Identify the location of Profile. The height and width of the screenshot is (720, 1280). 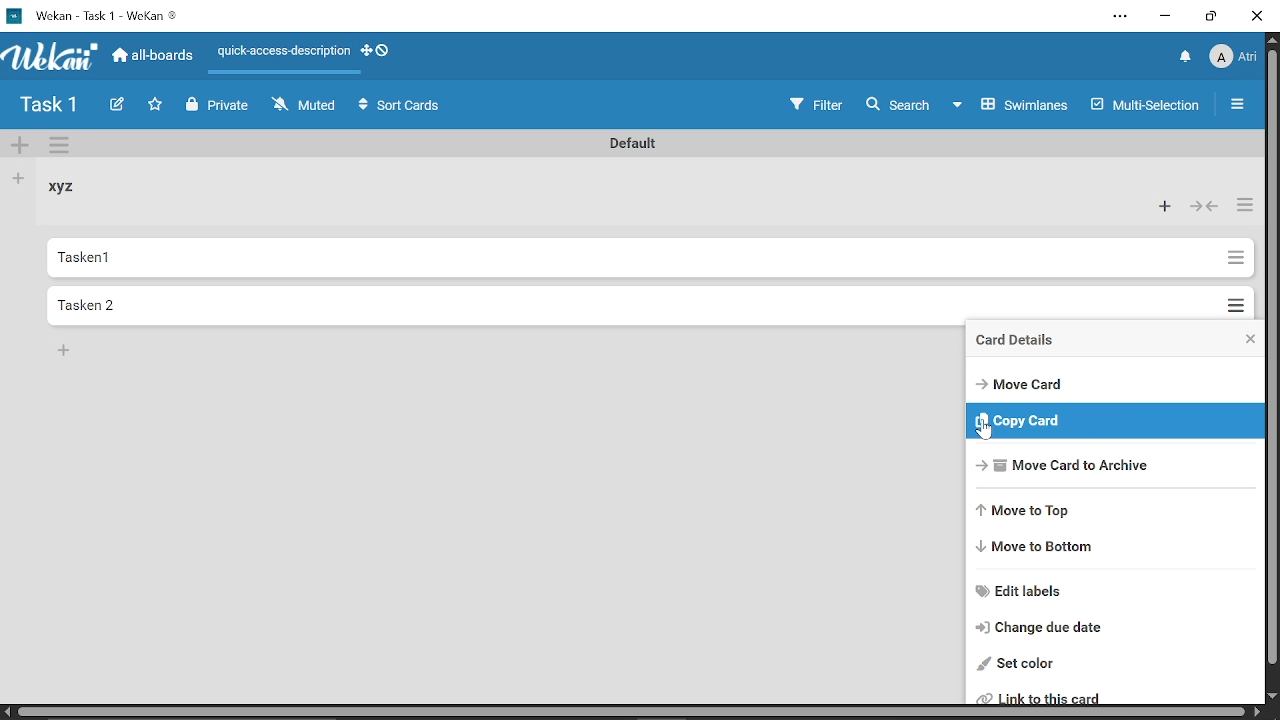
(1235, 58).